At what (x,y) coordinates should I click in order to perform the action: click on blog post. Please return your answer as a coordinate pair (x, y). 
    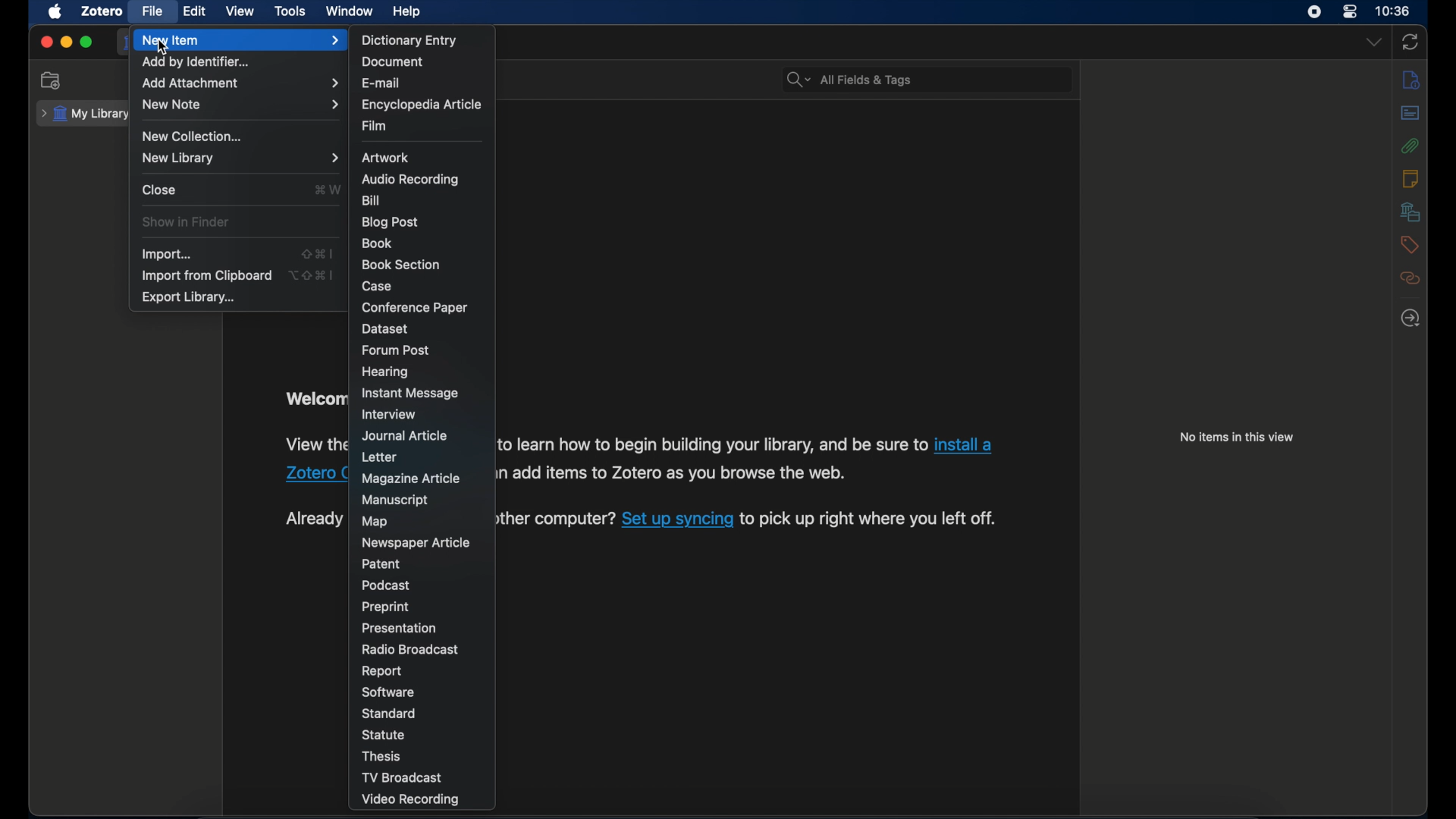
    Looking at the image, I should click on (390, 222).